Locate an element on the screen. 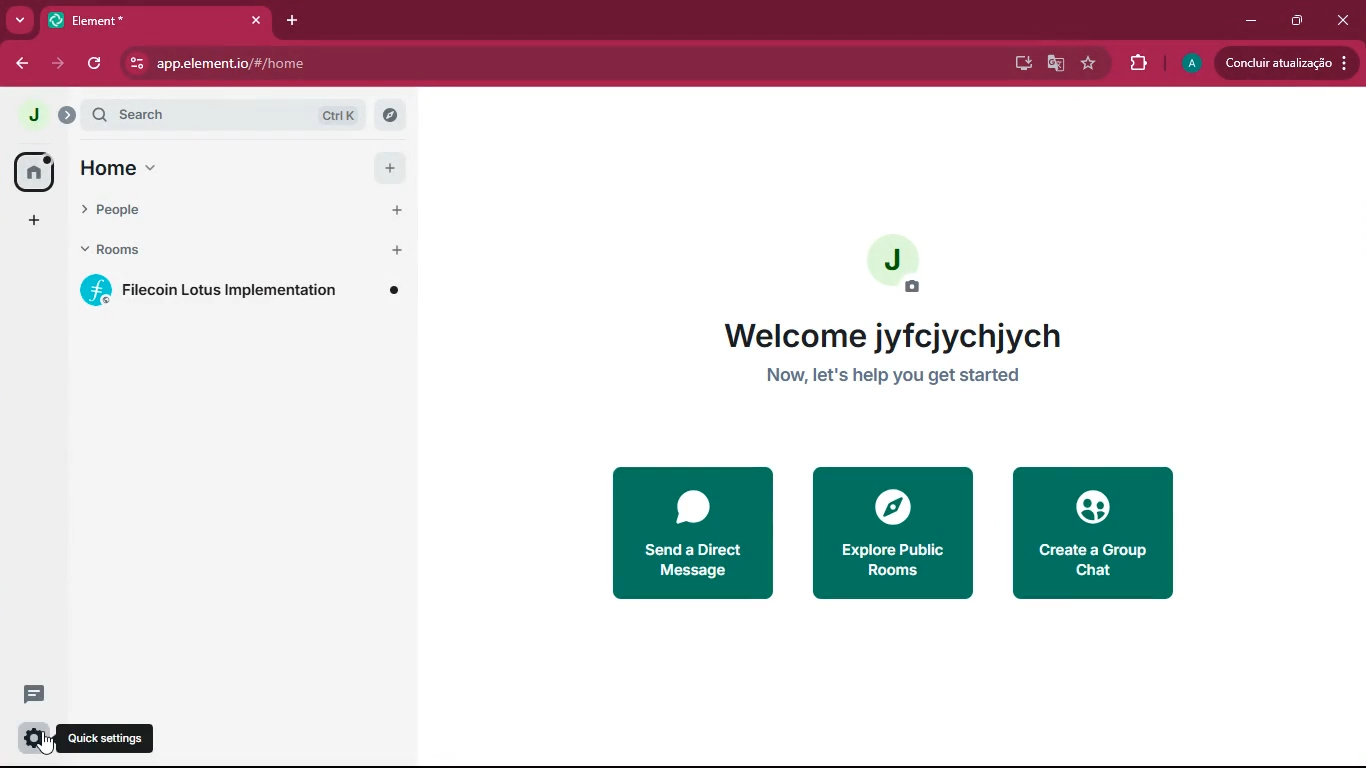  home is located at coordinates (240, 168).